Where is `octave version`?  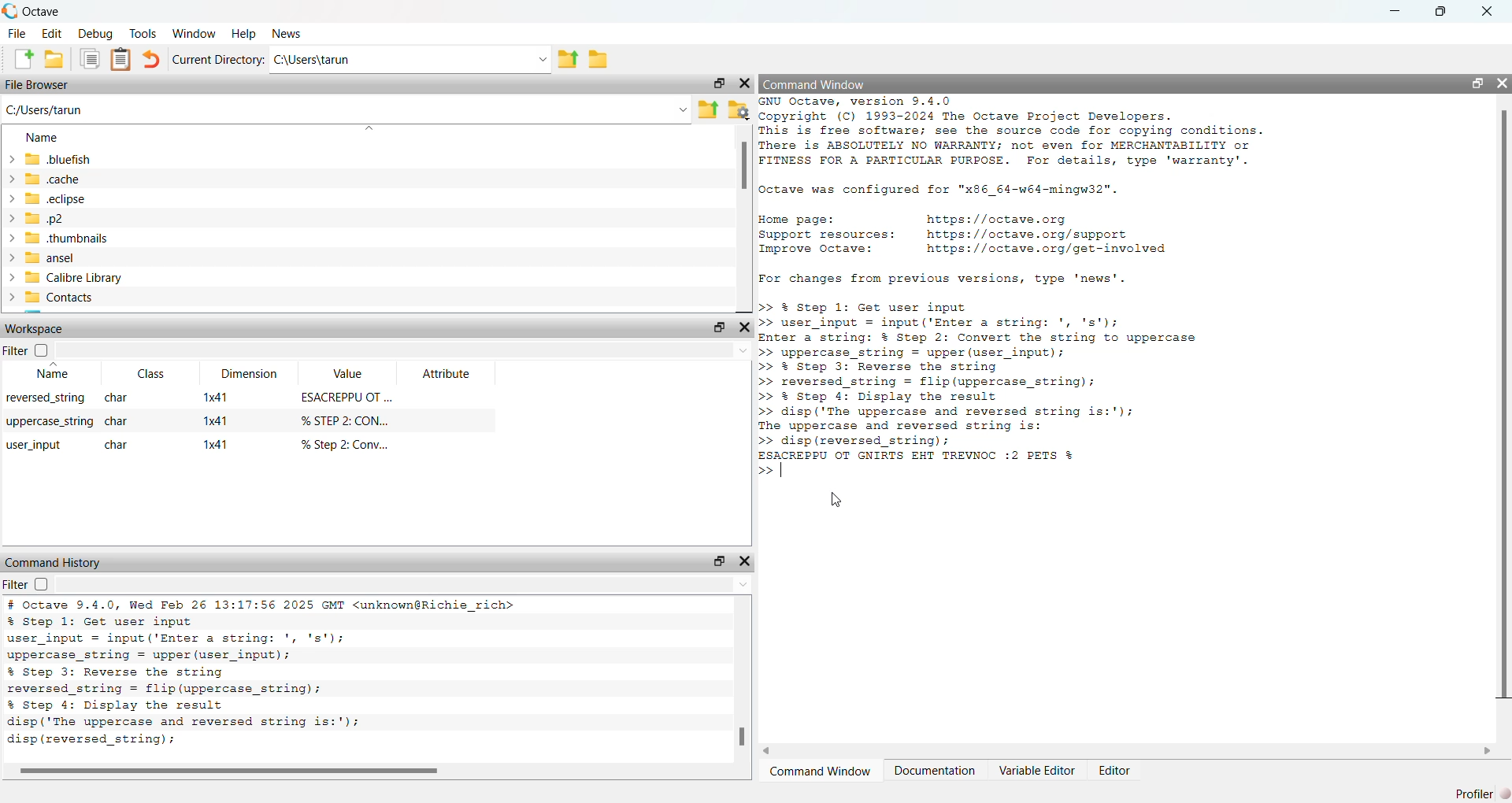
octave version is located at coordinates (262, 604).